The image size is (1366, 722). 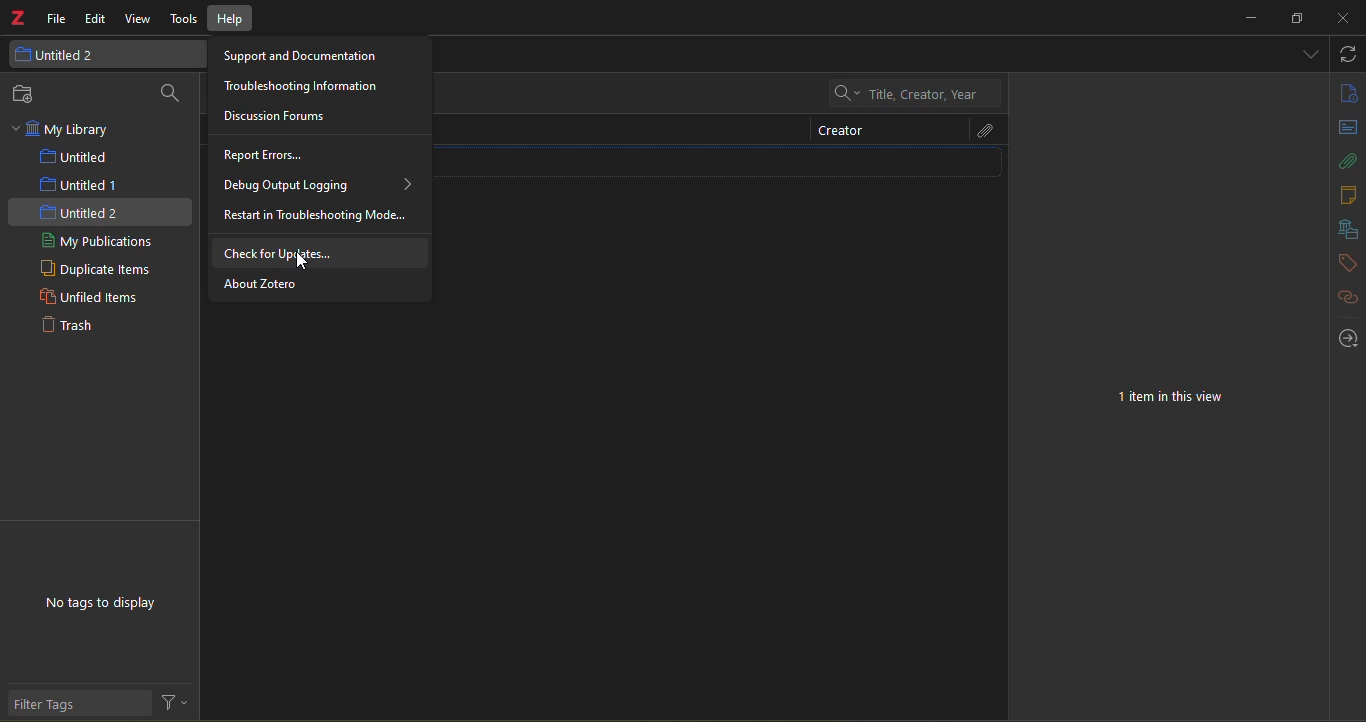 I want to click on related, so click(x=1345, y=297).